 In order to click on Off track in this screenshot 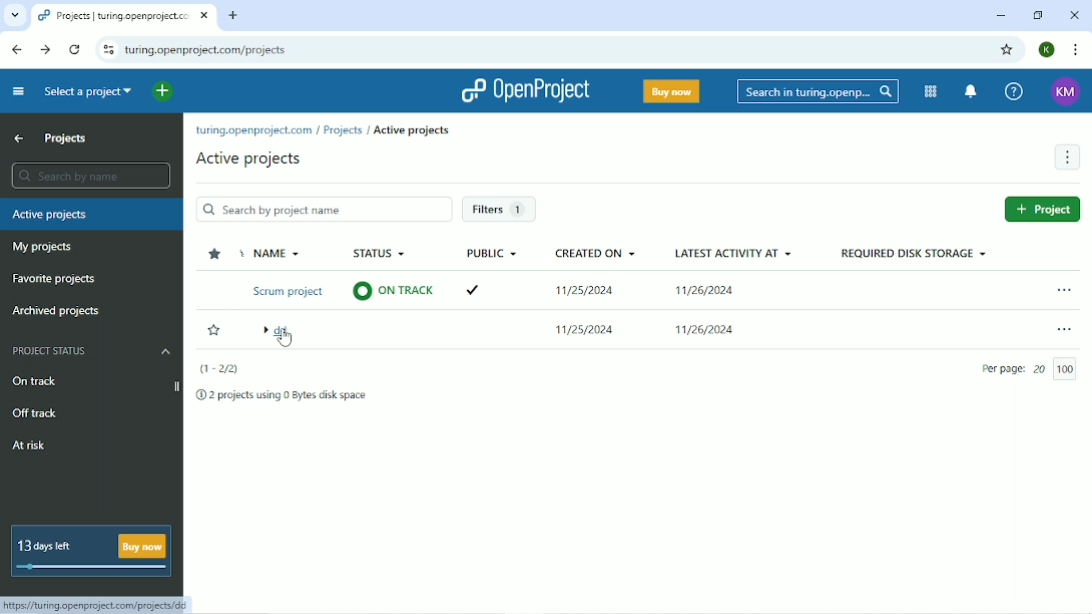, I will do `click(33, 414)`.